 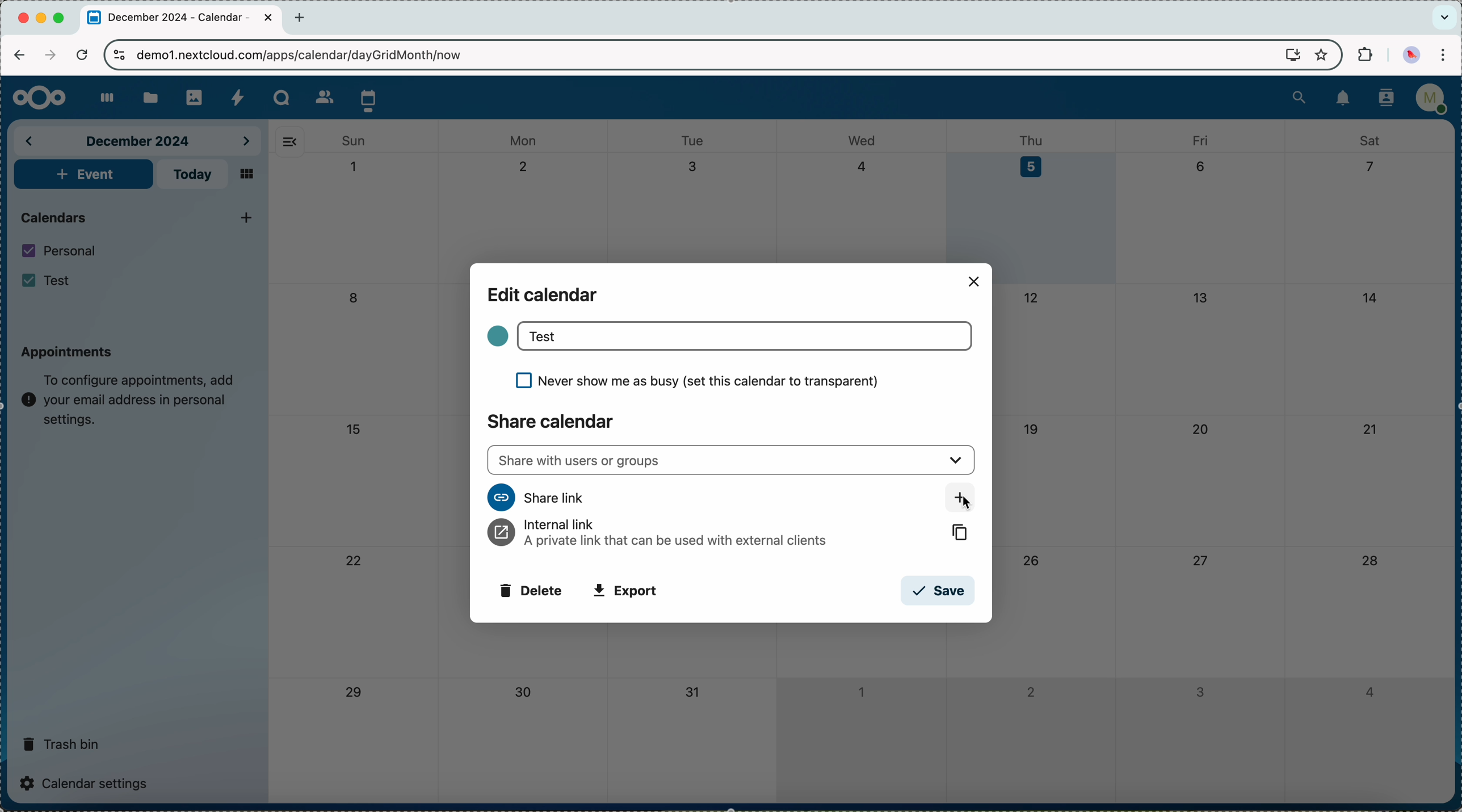 What do you see at coordinates (1369, 429) in the screenshot?
I see `21` at bounding box center [1369, 429].